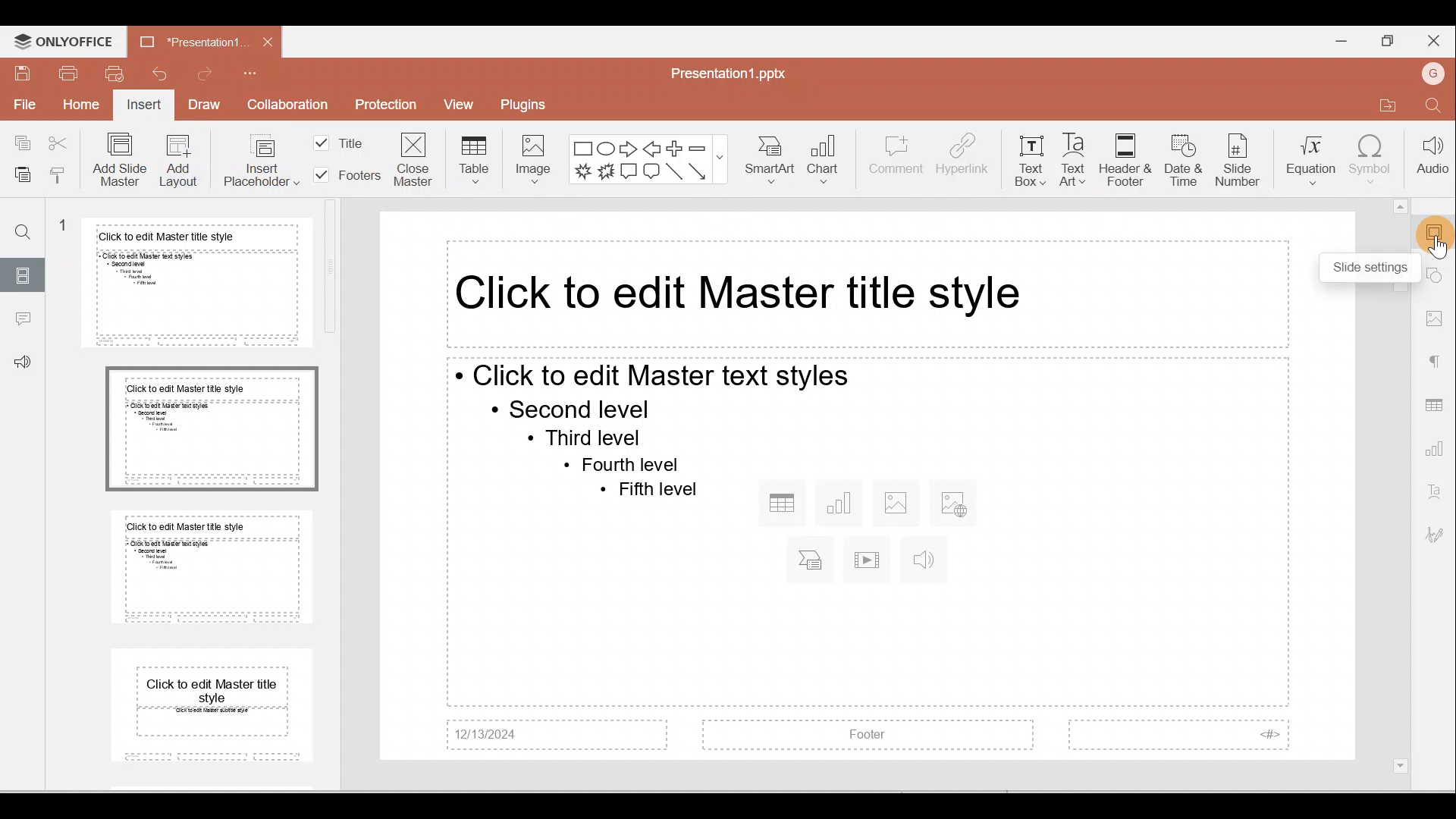 This screenshot has height=819, width=1456. I want to click on Cursor, so click(1438, 249).